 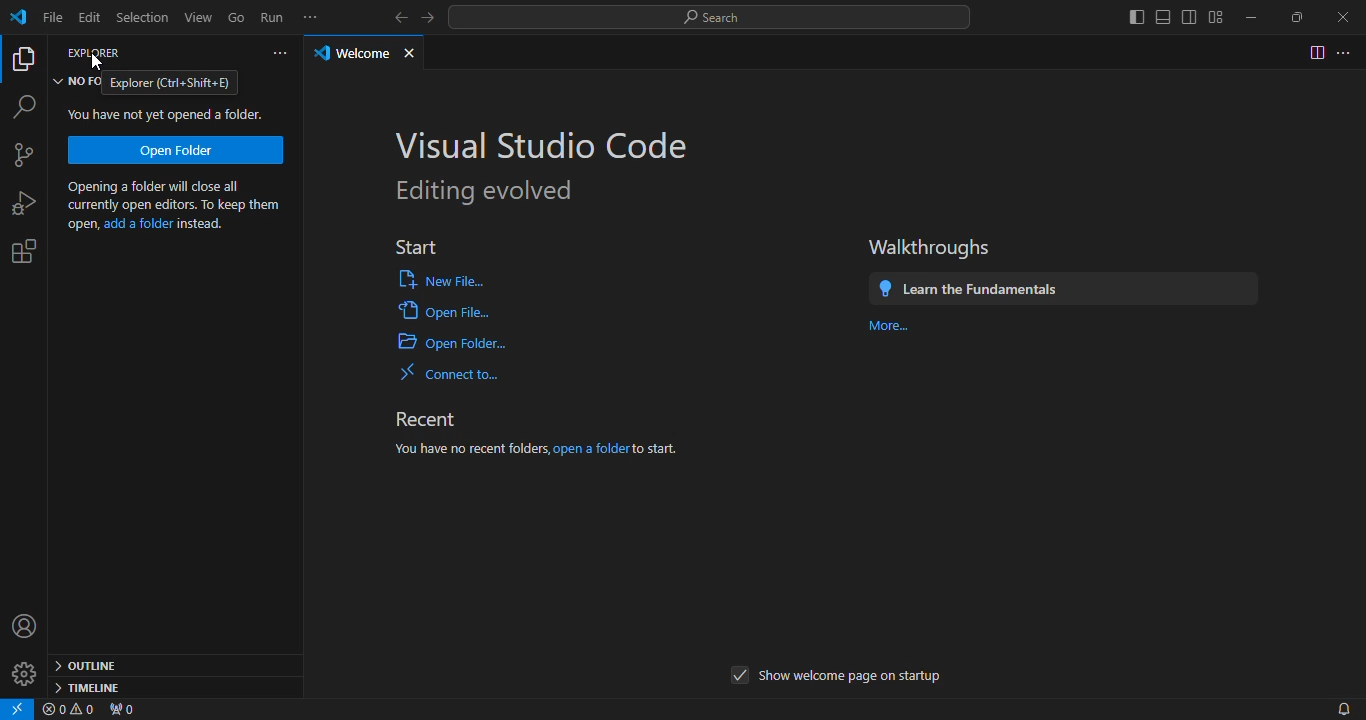 What do you see at coordinates (559, 446) in the screenshot?
I see `you have no recent folders, open a folder to start.` at bounding box center [559, 446].